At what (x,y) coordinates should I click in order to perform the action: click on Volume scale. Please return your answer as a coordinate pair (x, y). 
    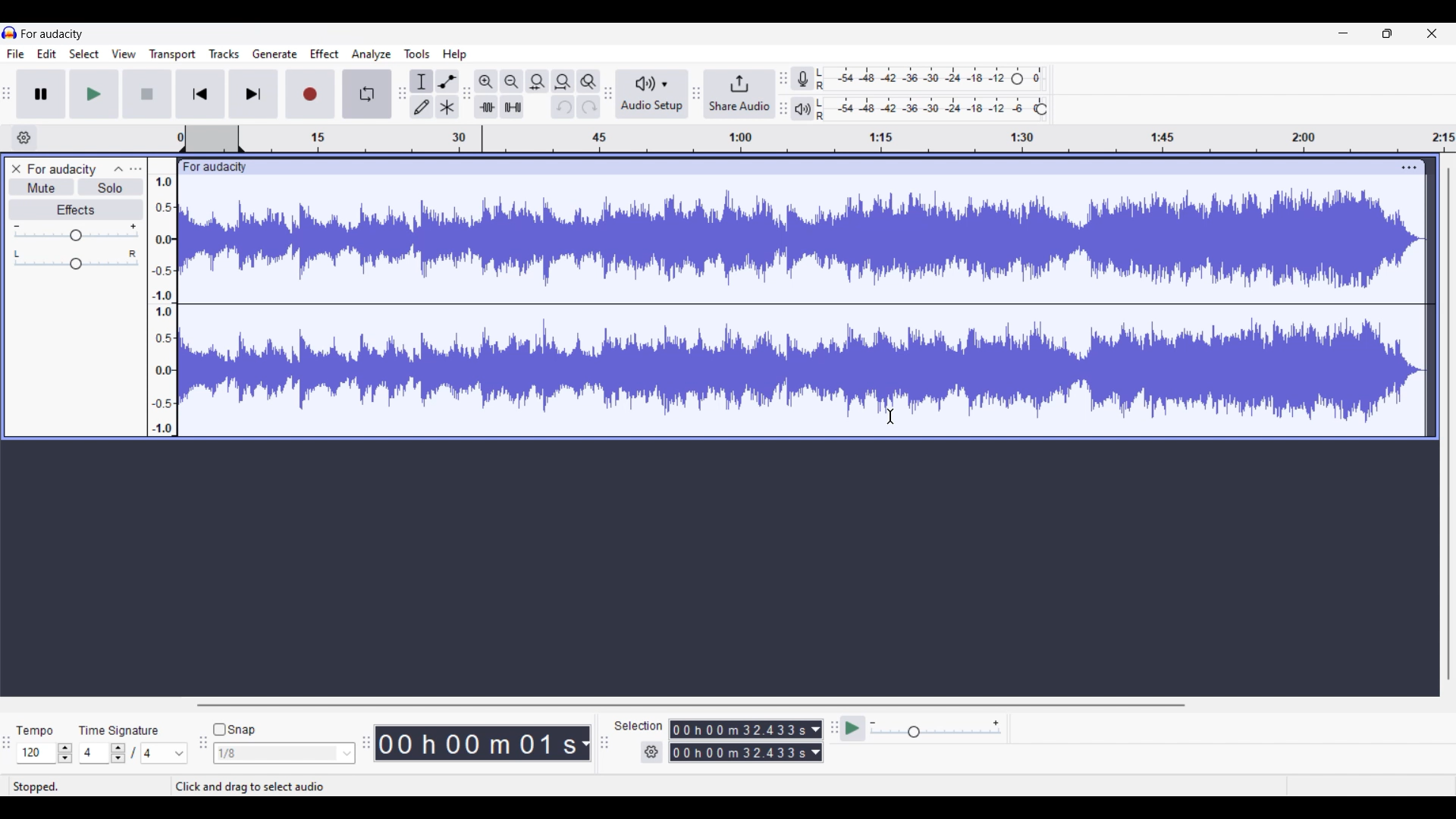
    Looking at the image, I should click on (76, 231).